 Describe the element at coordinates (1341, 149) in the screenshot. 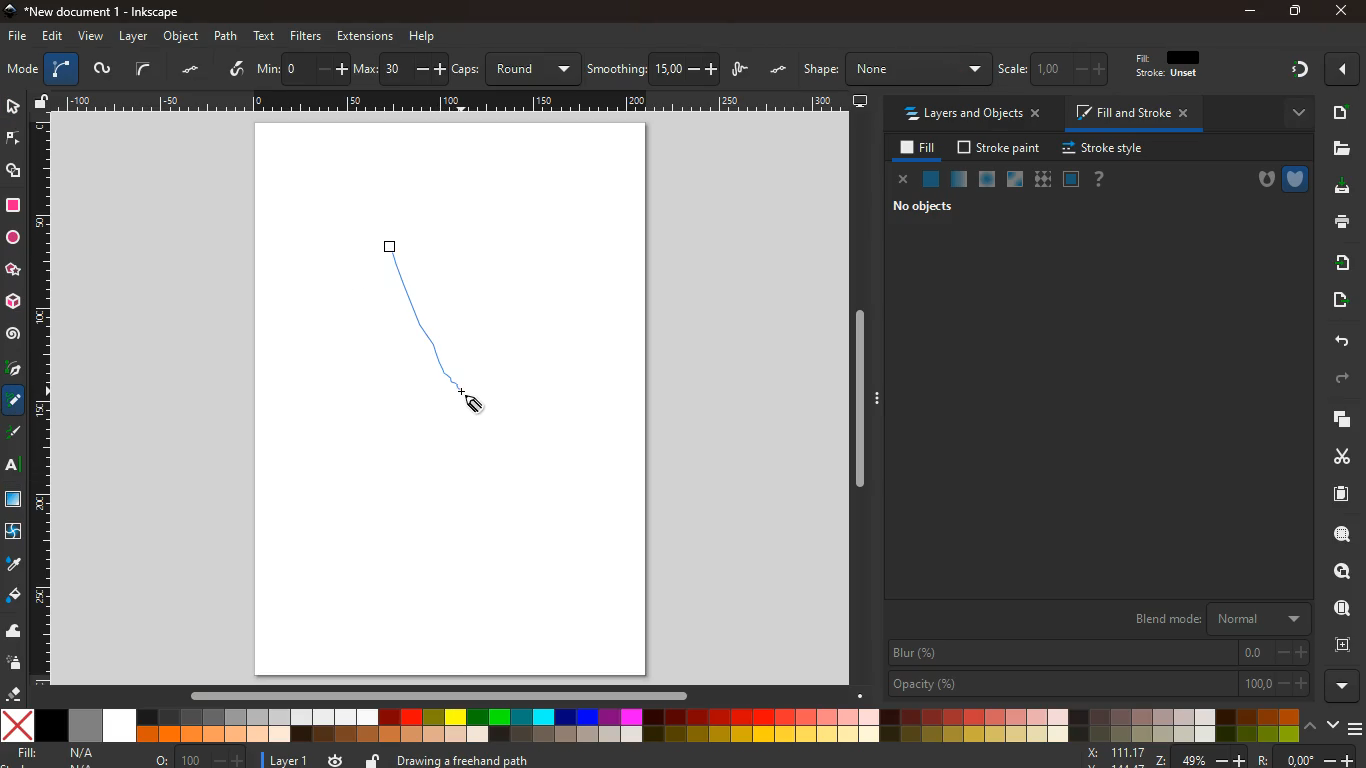

I see `files` at that location.